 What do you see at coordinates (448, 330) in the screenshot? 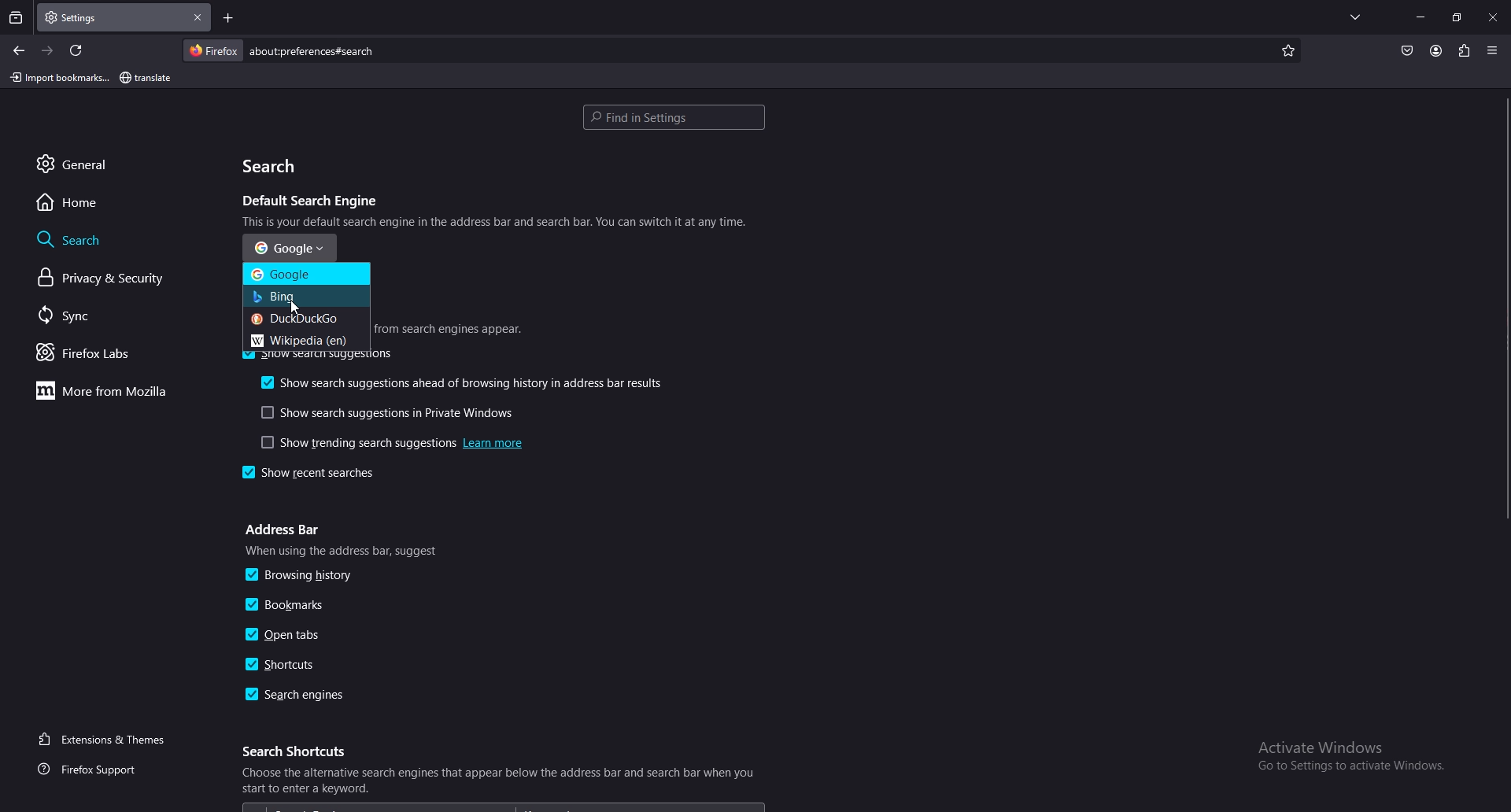
I see `info` at bounding box center [448, 330].